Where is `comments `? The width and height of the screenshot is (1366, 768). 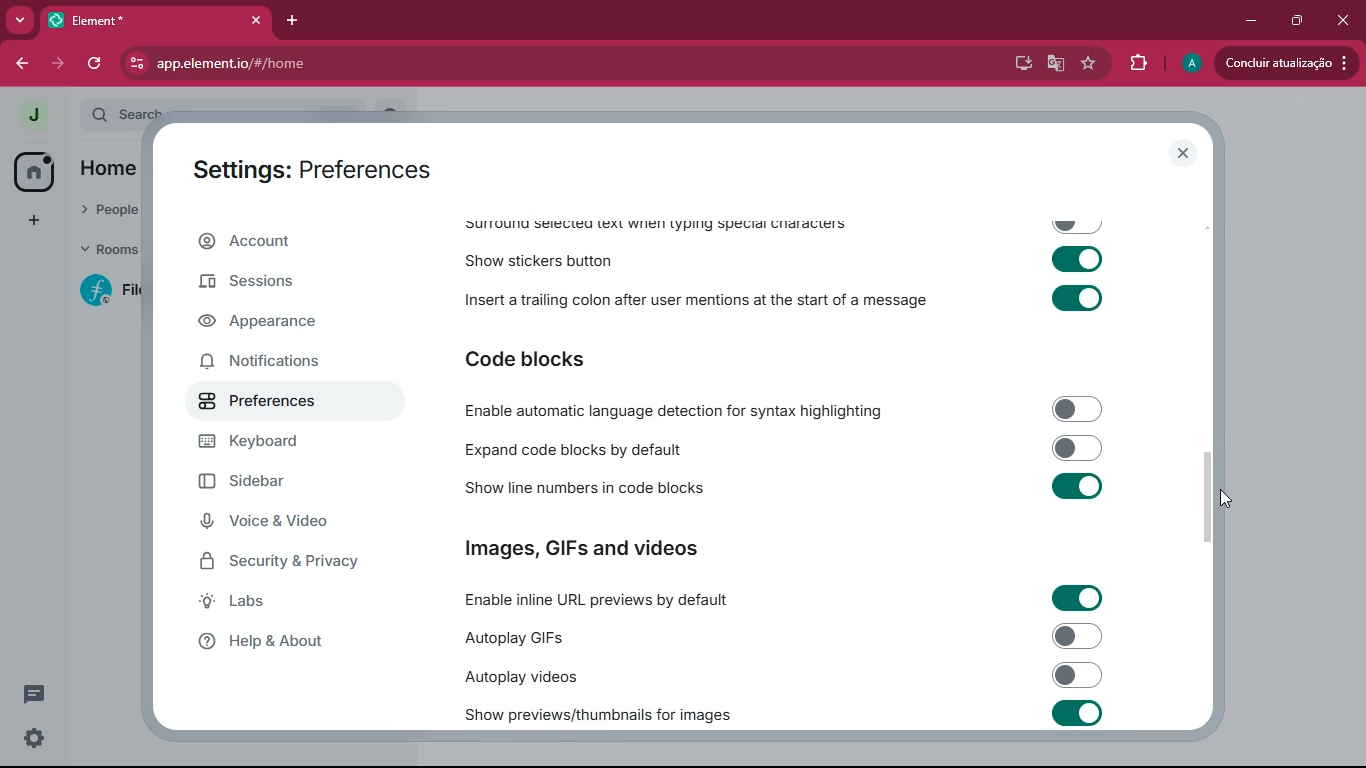 comments  is located at coordinates (48, 698).